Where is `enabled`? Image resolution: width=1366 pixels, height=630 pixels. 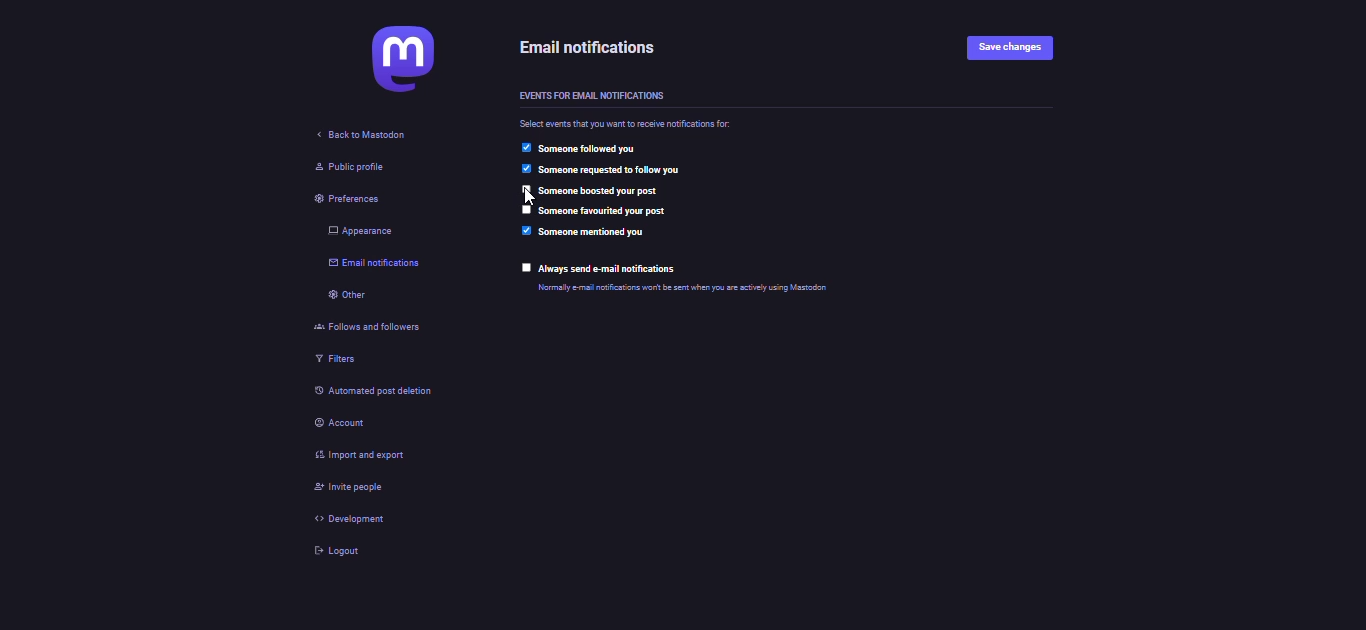
enabled is located at coordinates (524, 169).